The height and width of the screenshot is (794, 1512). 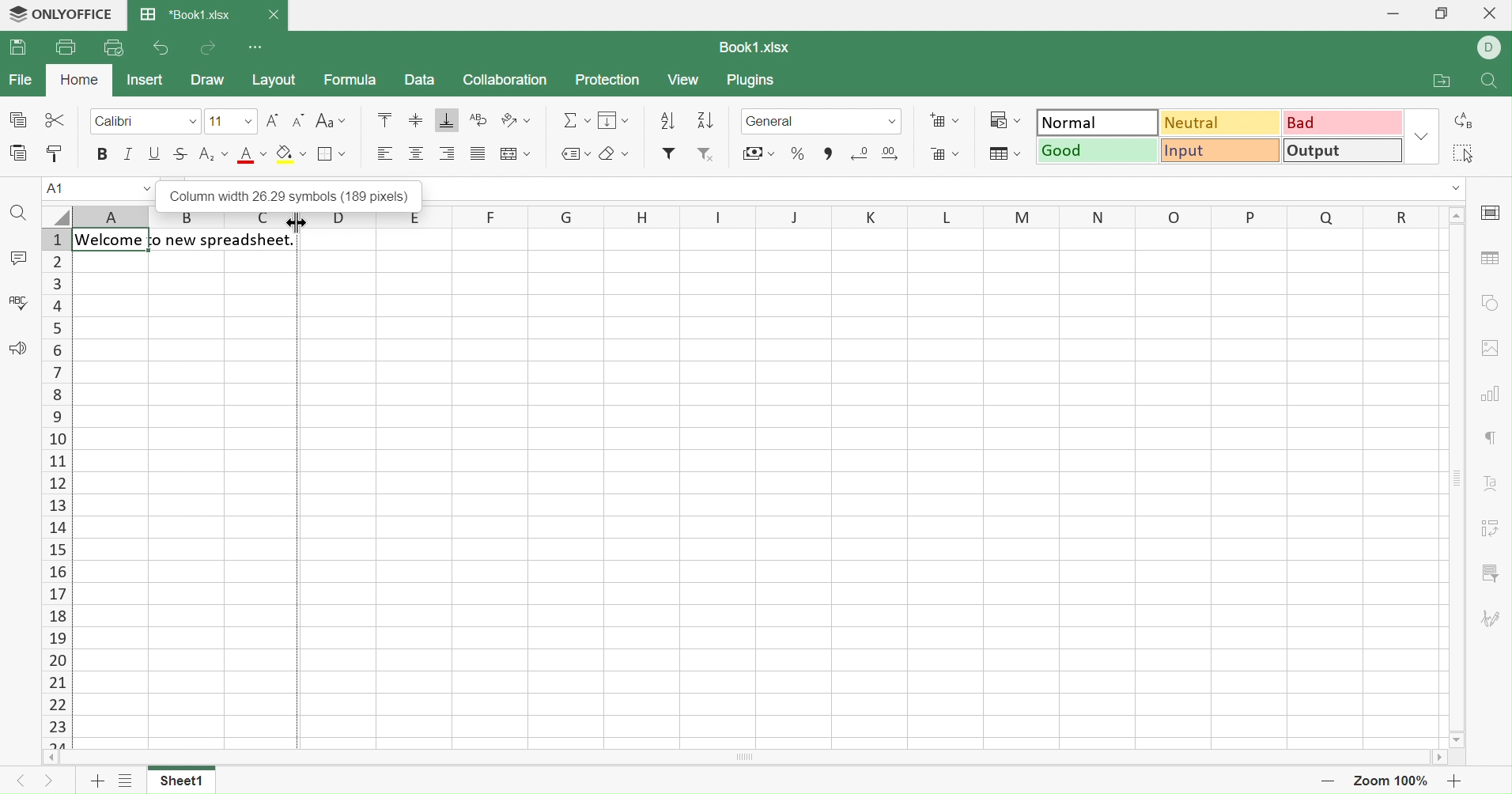 I want to click on Book1.xlsx, so click(x=757, y=45).